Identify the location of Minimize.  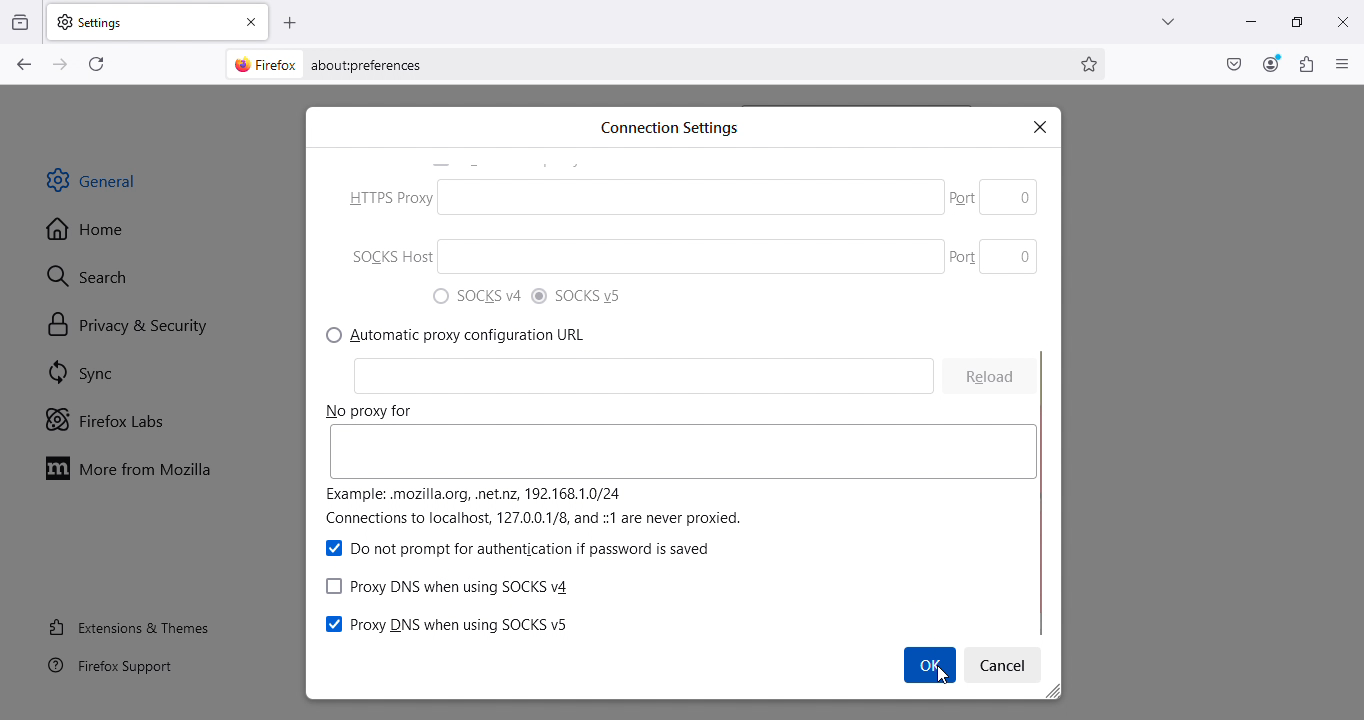
(1248, 21).